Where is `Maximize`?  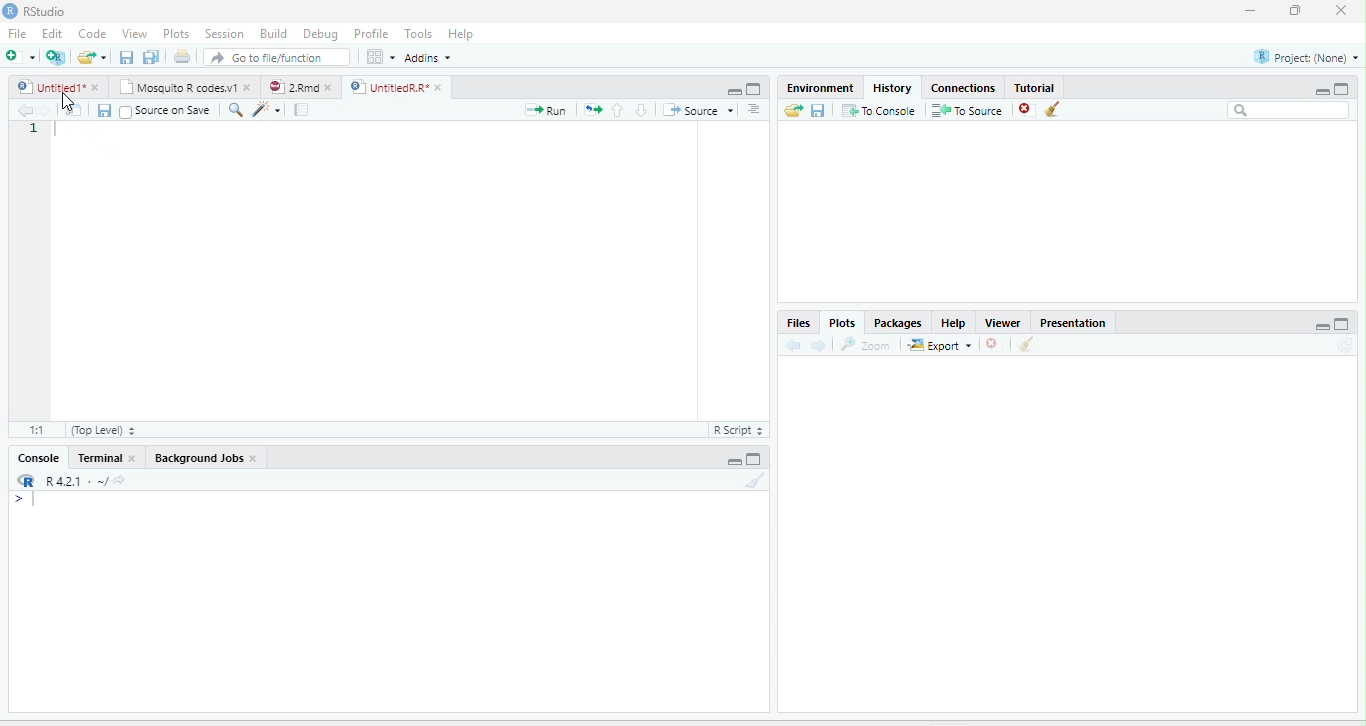
Maximize is located at coordinates (1343, 324).